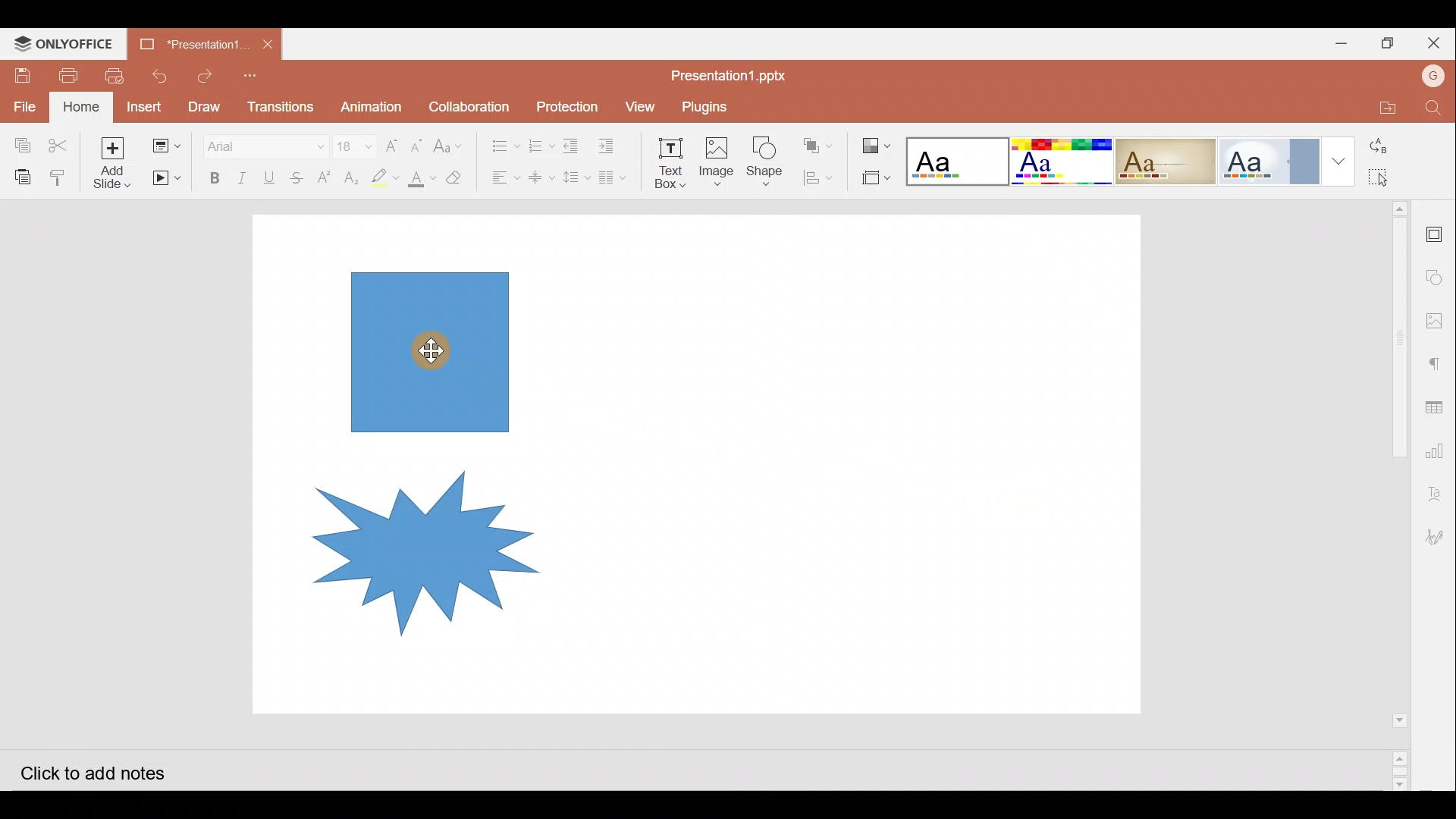  What do you see at coordinates (388, 176) in the screenshot?
I see `Highlight colour` at bounding box center [388, 176].